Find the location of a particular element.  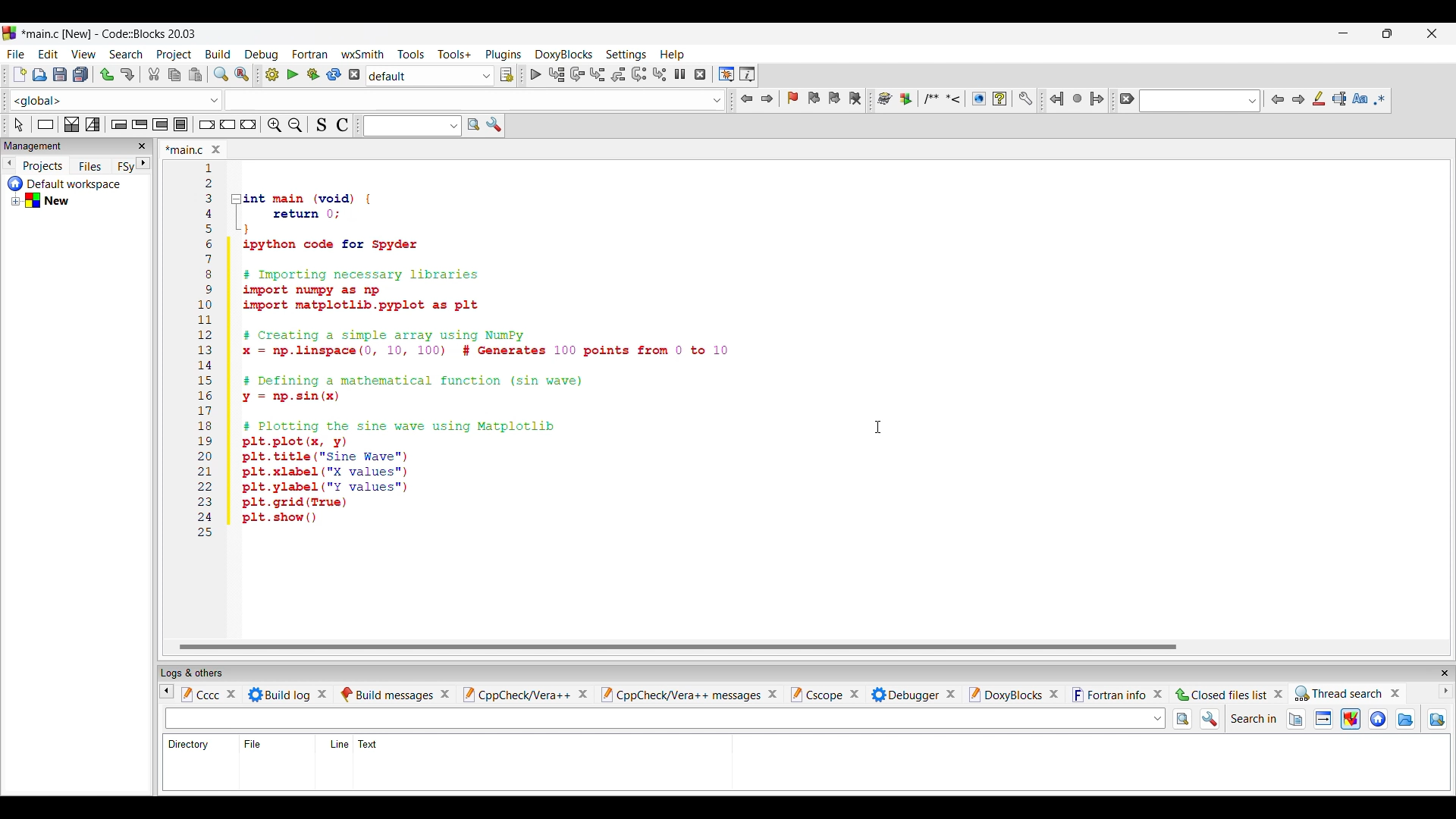

Clear bookmarks is located at coordinates (859, 96).